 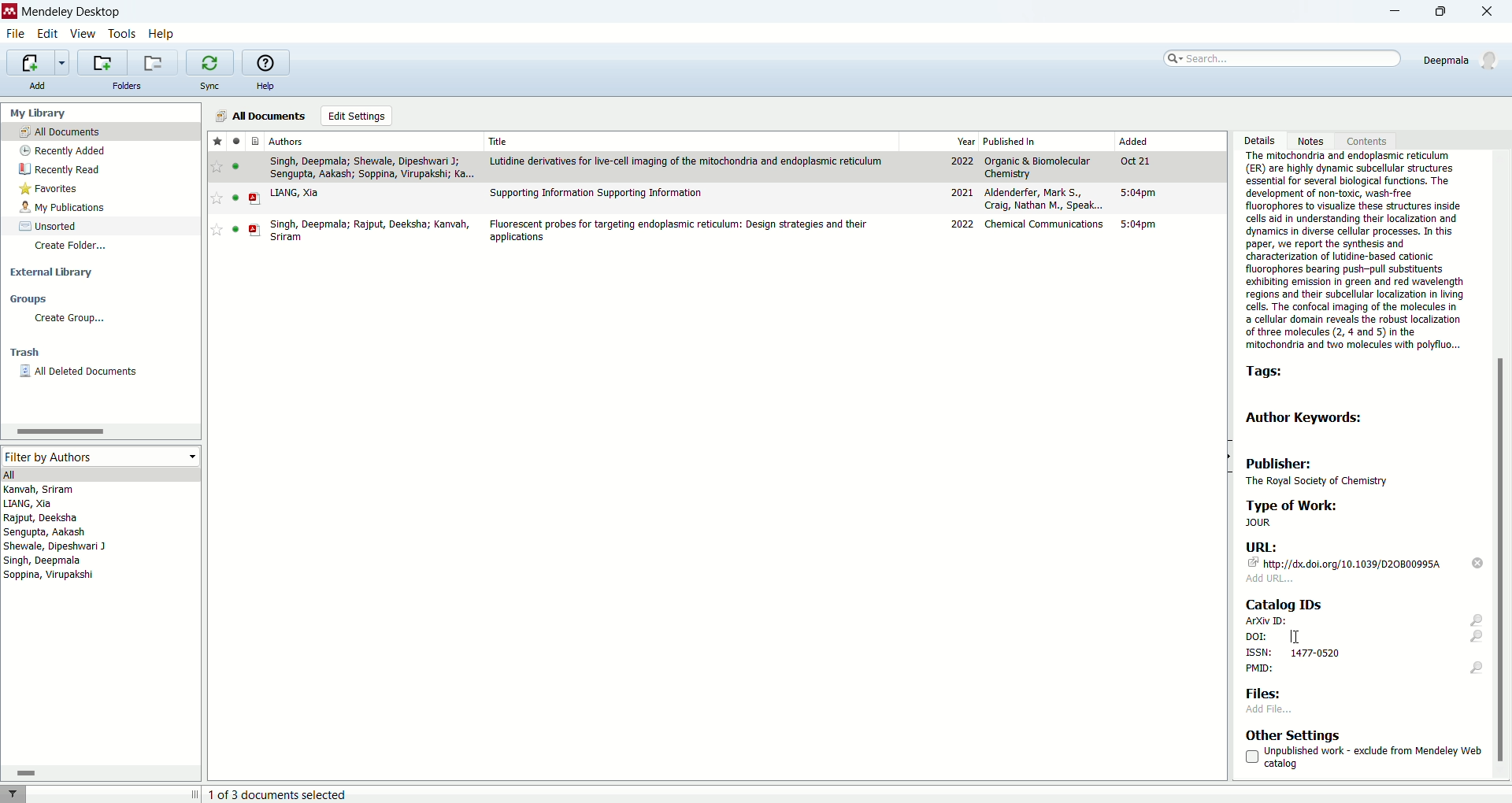 What do you see at coordinates (371, 231) in the screenshot?
I see `singh, deepmala; rajput, deeksha; kanvah, sriram` at bounding box center [371, 231].